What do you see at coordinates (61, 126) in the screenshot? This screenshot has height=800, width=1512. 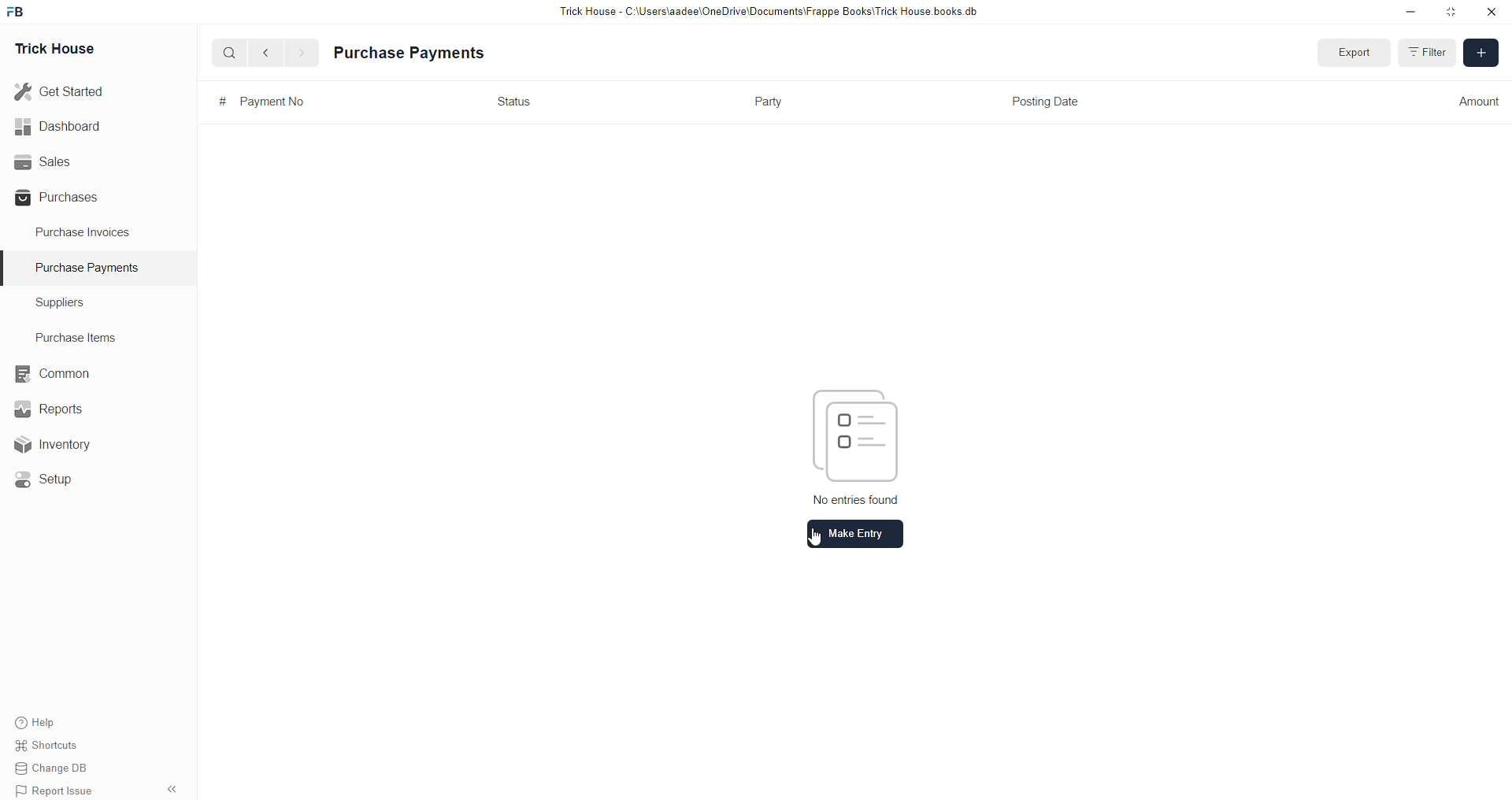 I see `Dashboard` at bounding box center [61, 126].